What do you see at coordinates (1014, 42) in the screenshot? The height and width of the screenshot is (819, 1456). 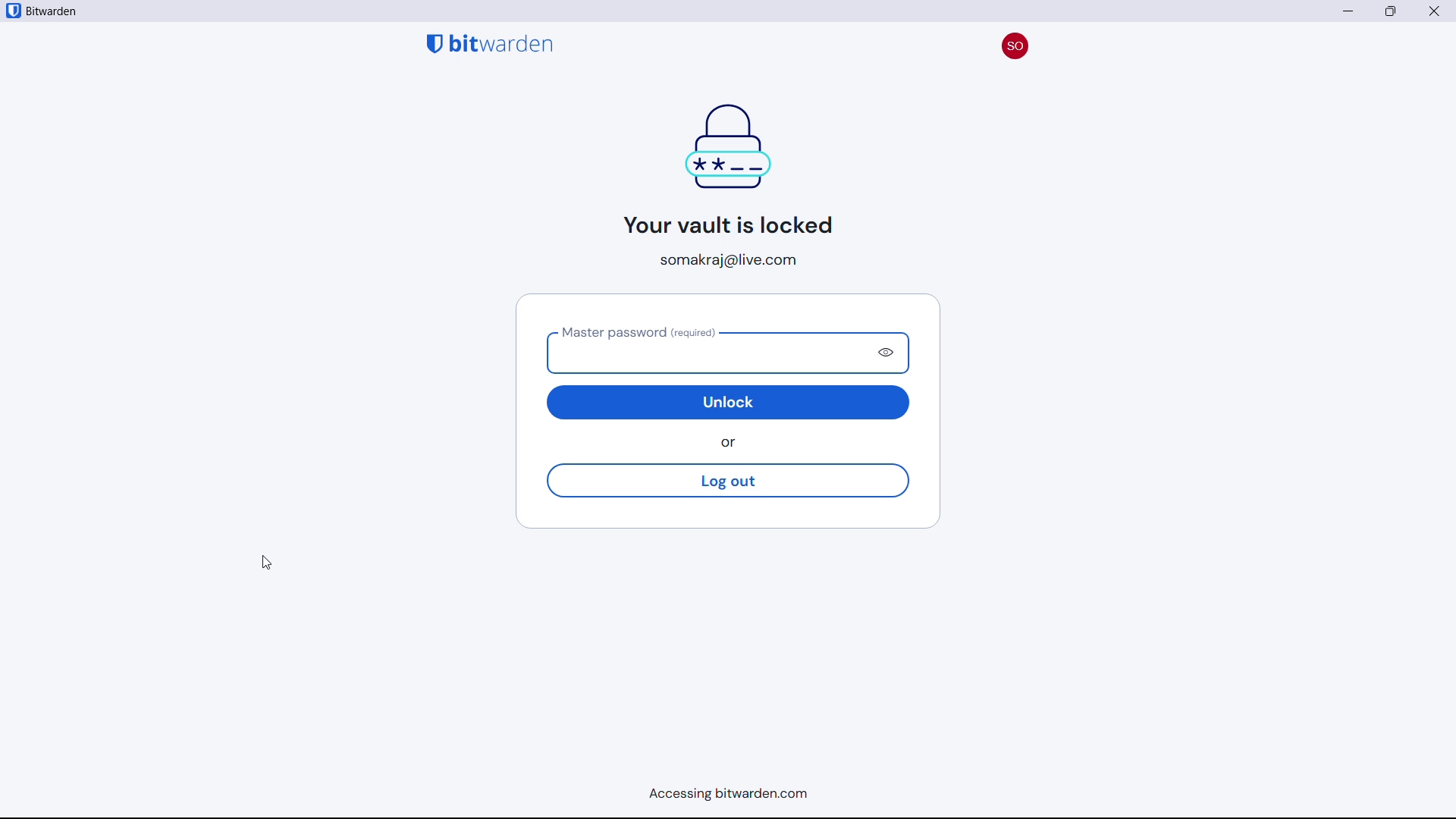 I see `logged in account "SO"` at bounding box center [1014, 42].